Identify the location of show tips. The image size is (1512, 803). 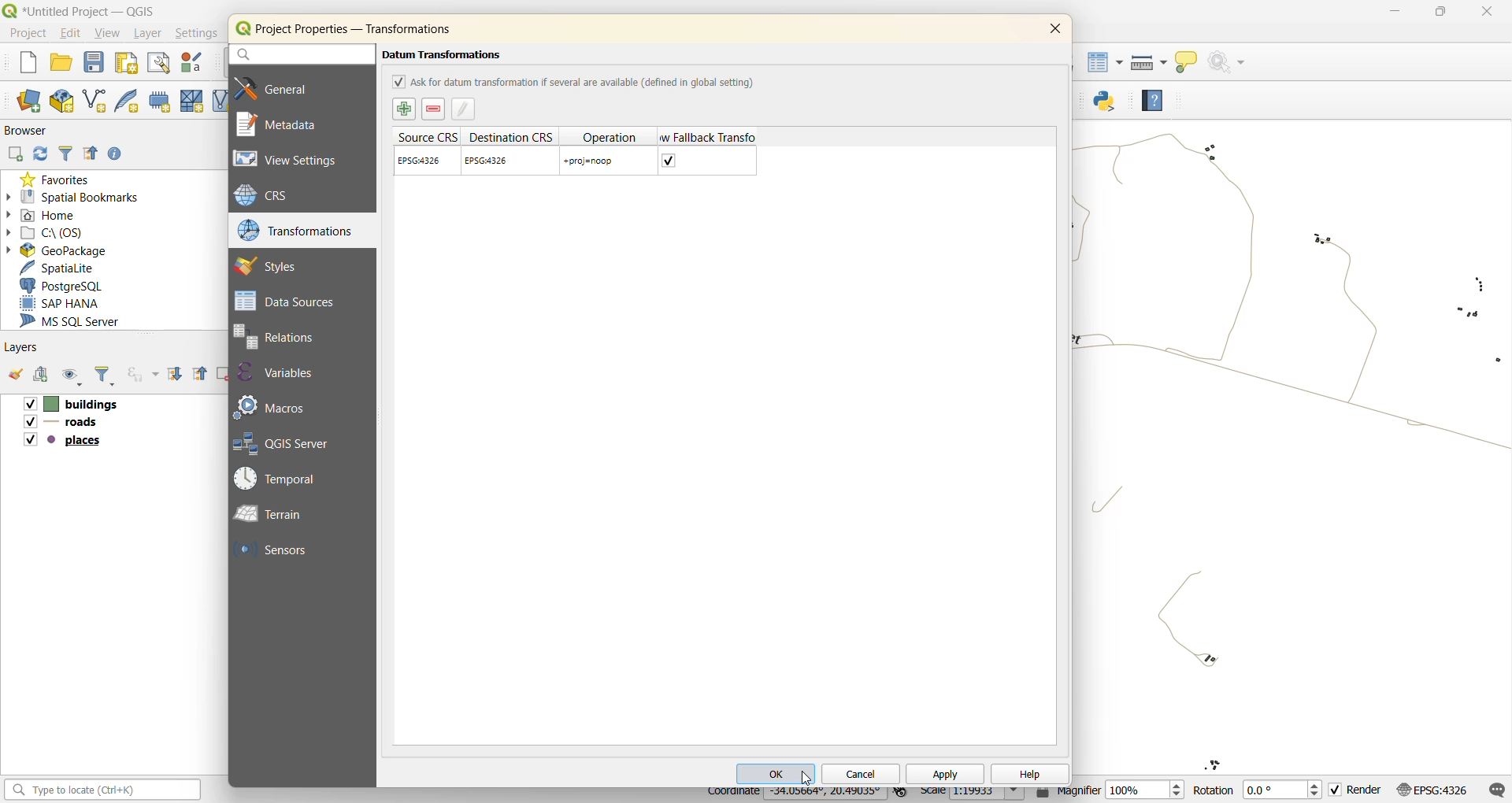
(1186, 64).